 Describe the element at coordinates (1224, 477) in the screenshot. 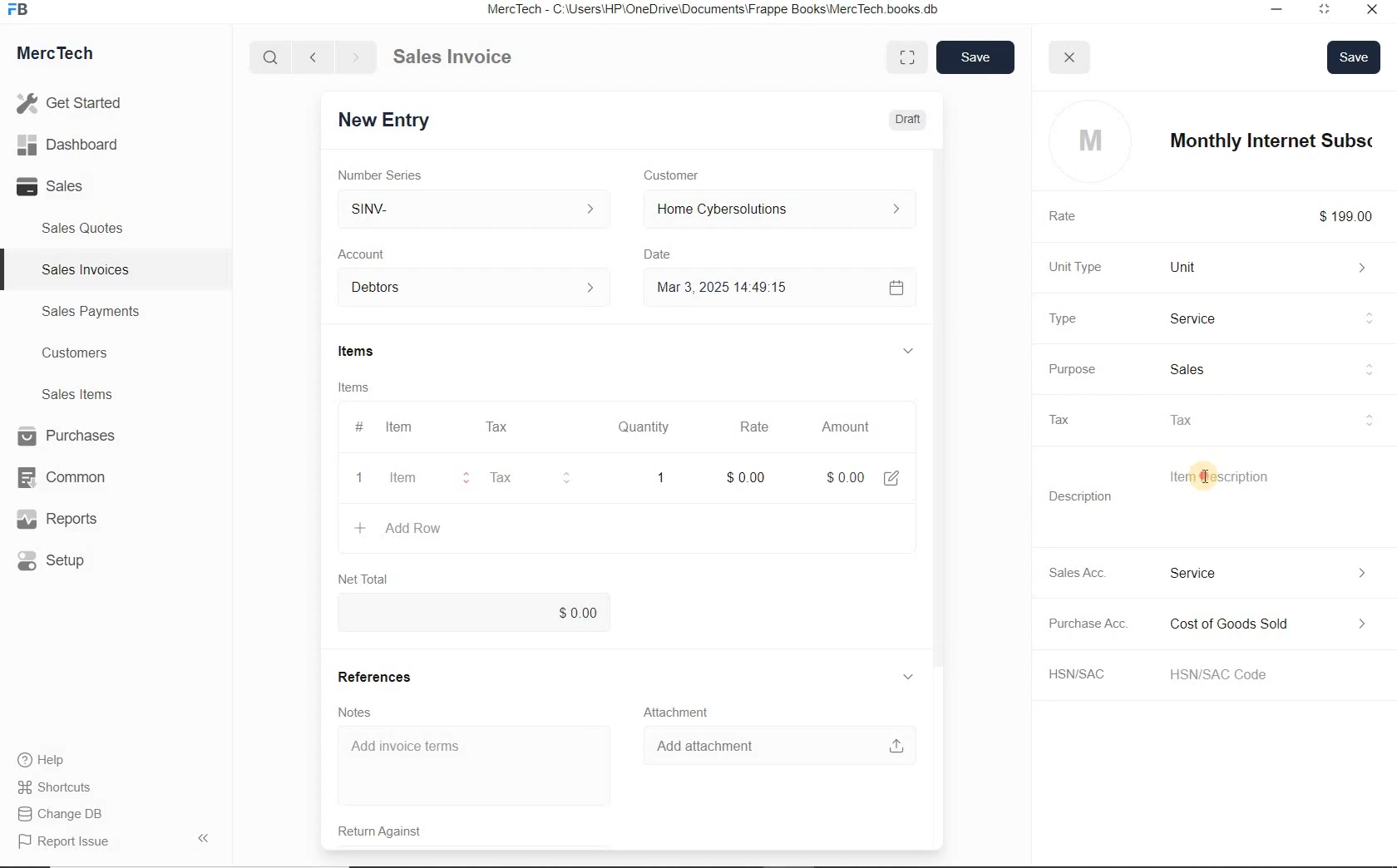

I see `Item Description` at that location.